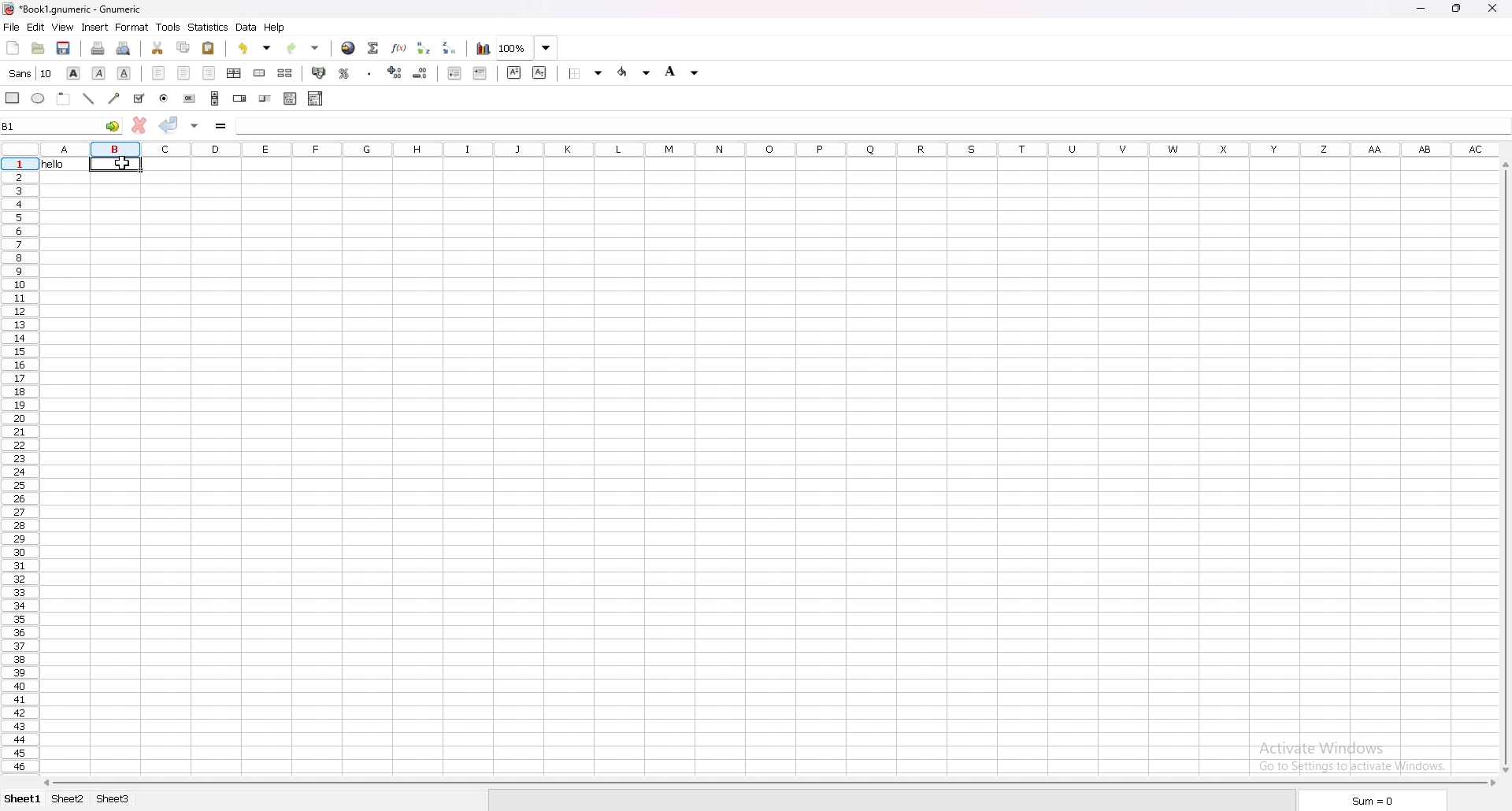 This screenshot has width=1512, height=811. I want to click on split merged, so click(286, 73).